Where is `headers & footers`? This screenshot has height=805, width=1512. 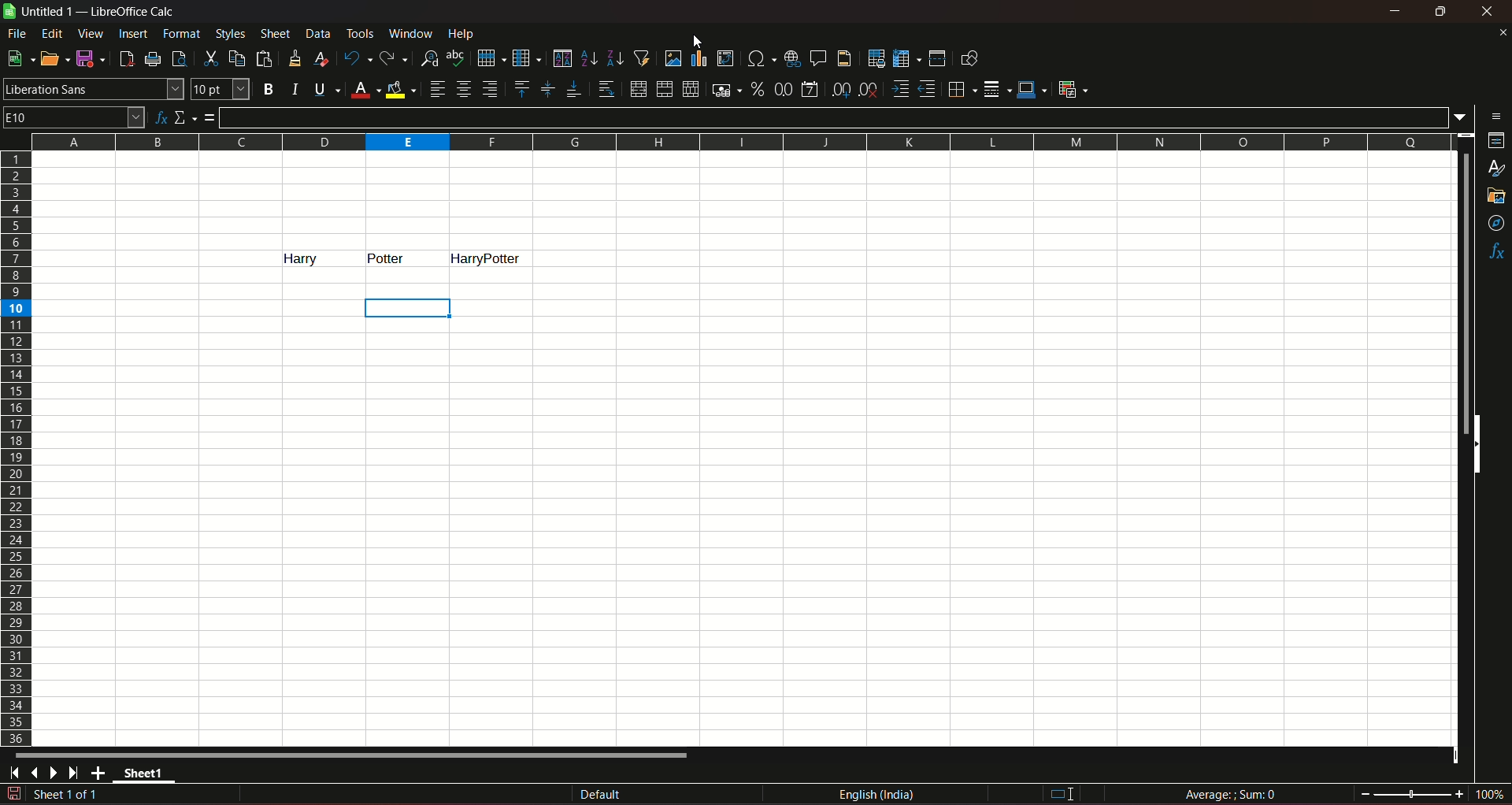 headers & footers is located at coordinates (843, 57).